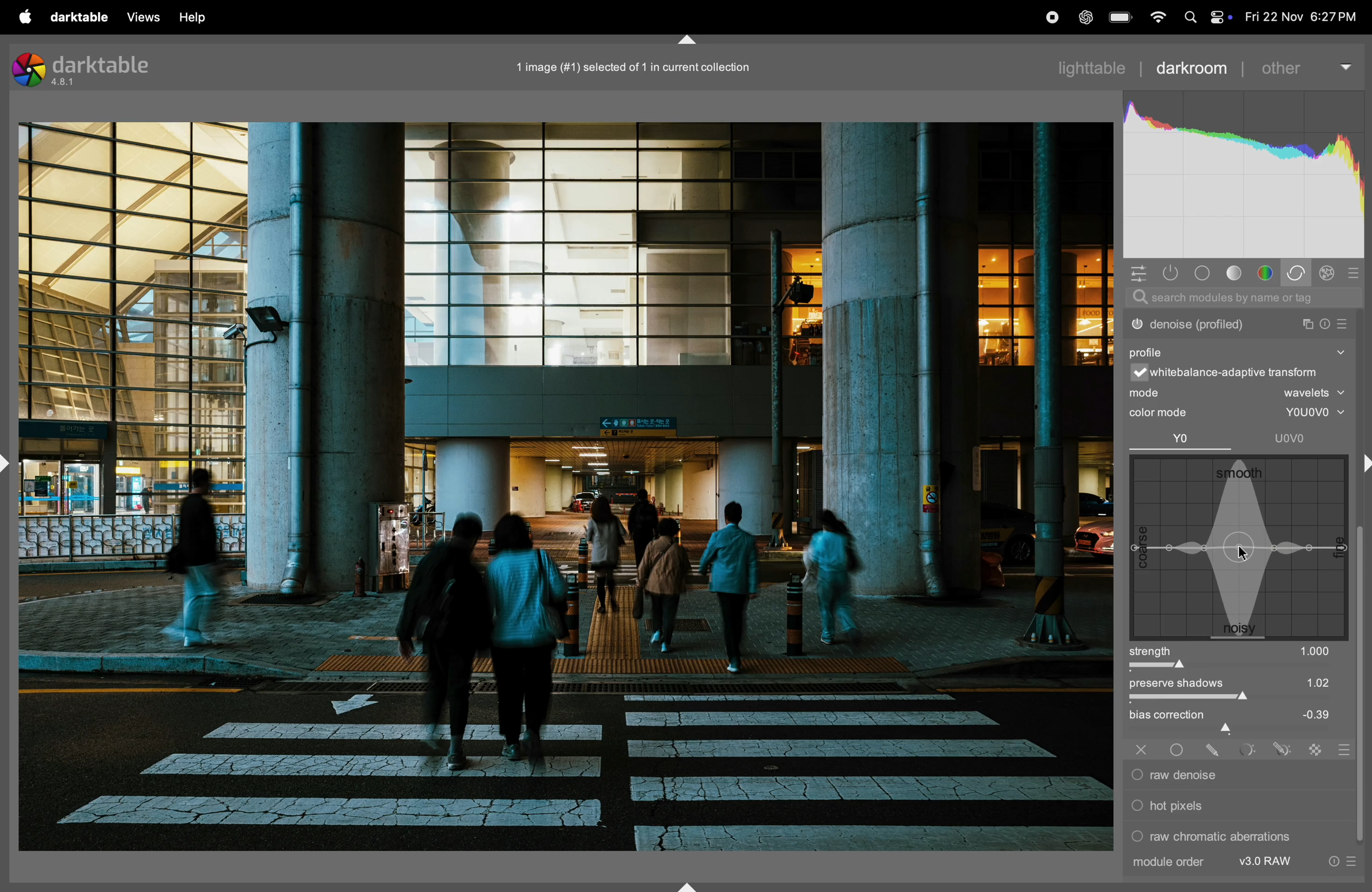 The height and width of the screenshot is (892, 1372). Describe the element at coordinates (9, 462) in the screenshot. I see `shift+ctrl+l` at that location.